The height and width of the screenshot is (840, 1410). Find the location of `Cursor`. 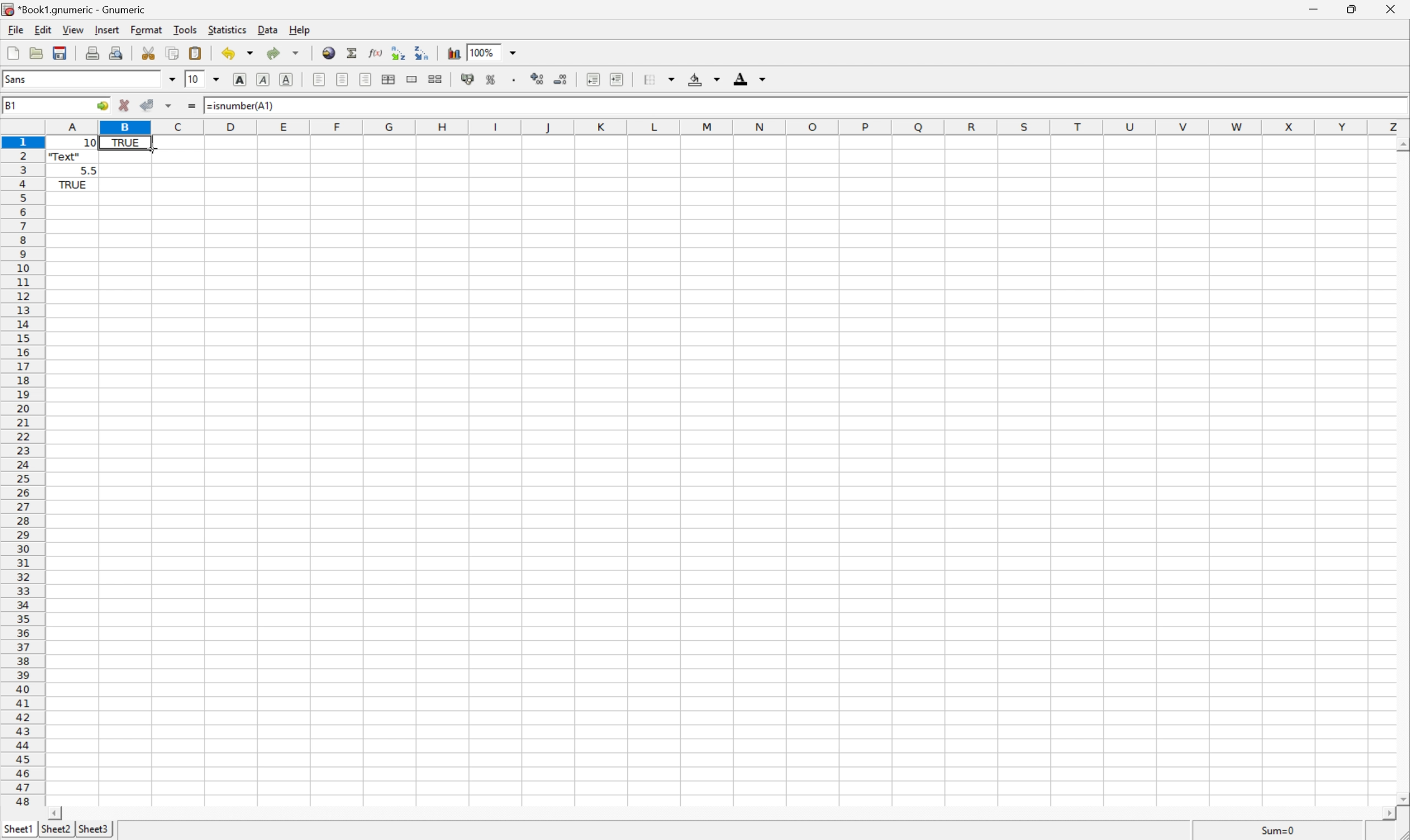

Cursor is located at coordinates (151, 149).